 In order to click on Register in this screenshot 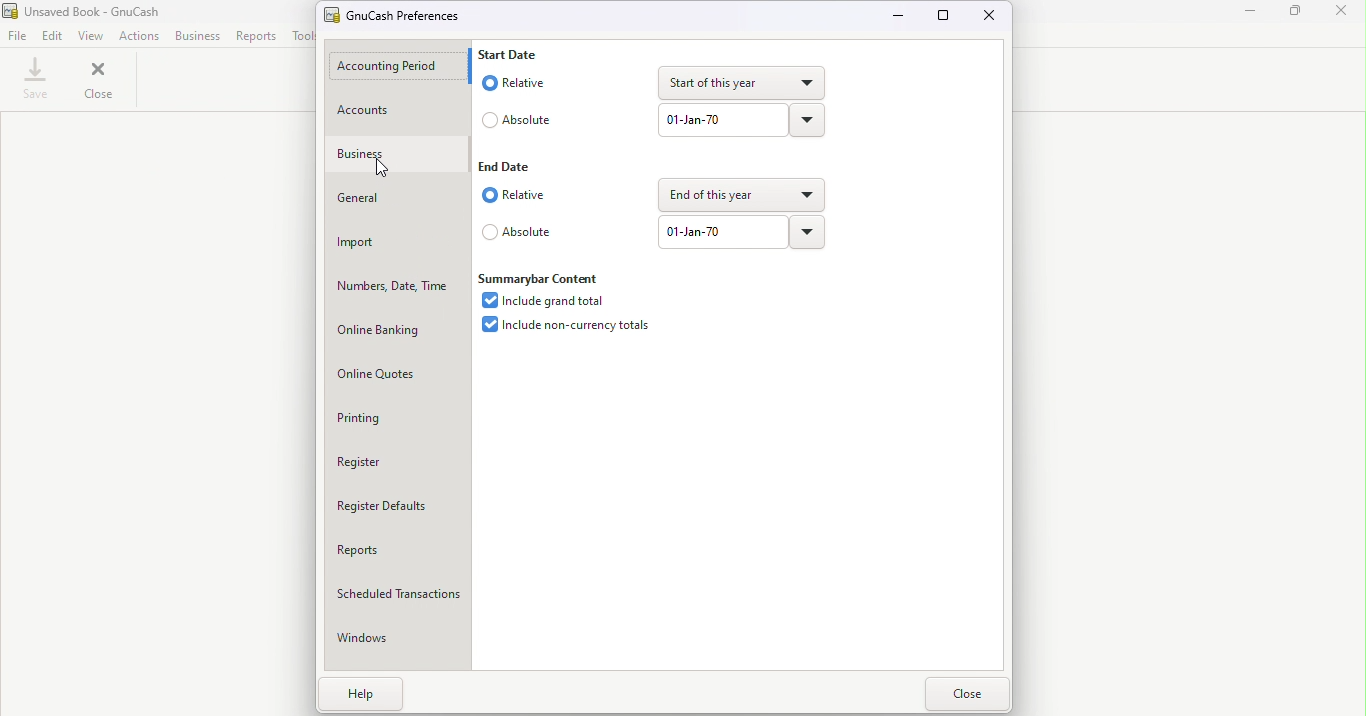, I will do `click(401, 463)`.